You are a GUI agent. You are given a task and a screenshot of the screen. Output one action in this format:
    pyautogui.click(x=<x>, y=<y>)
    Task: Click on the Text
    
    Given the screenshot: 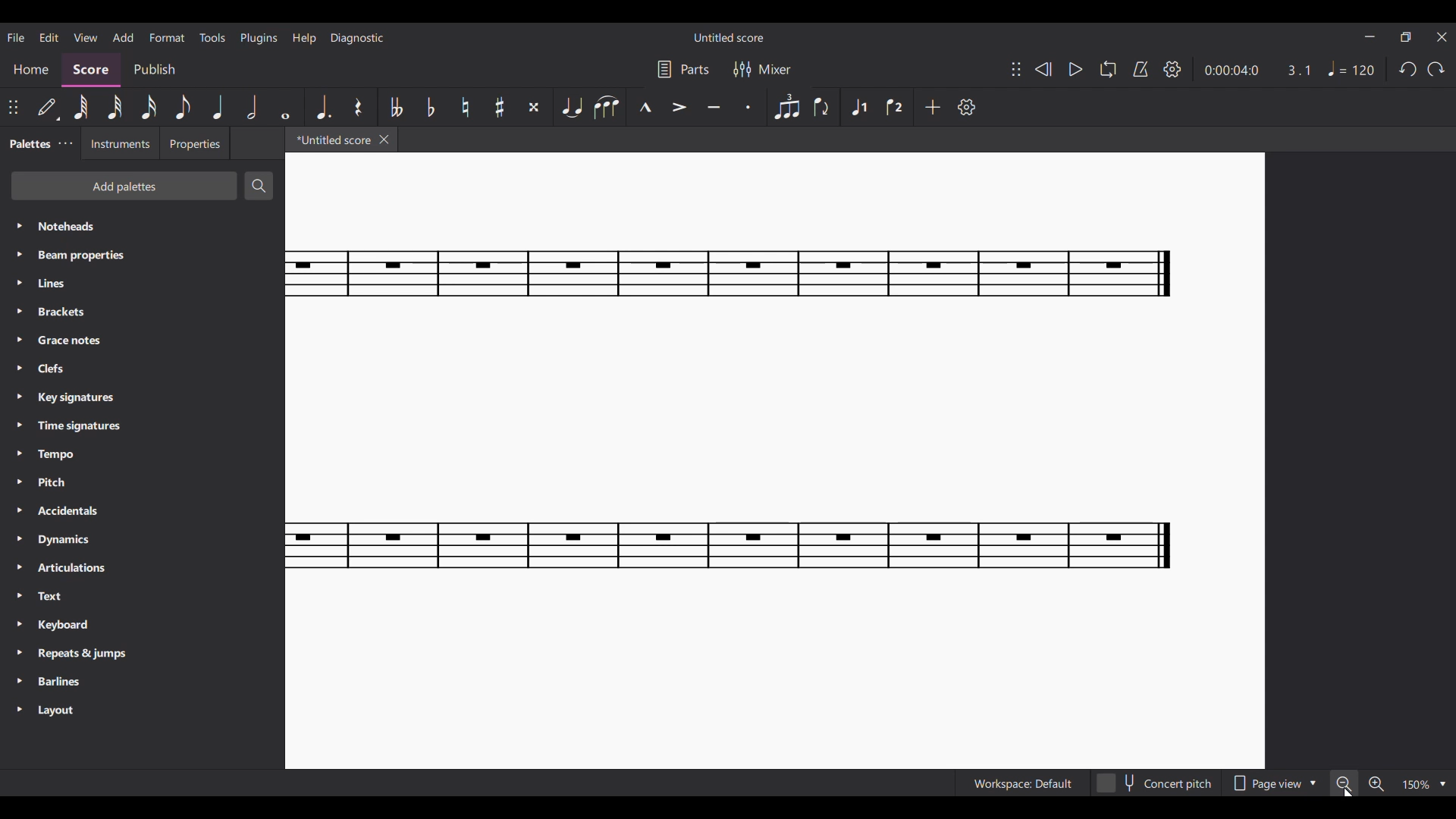 What is the action you would take?
    pyautogui.click(x=142, y=595)
    